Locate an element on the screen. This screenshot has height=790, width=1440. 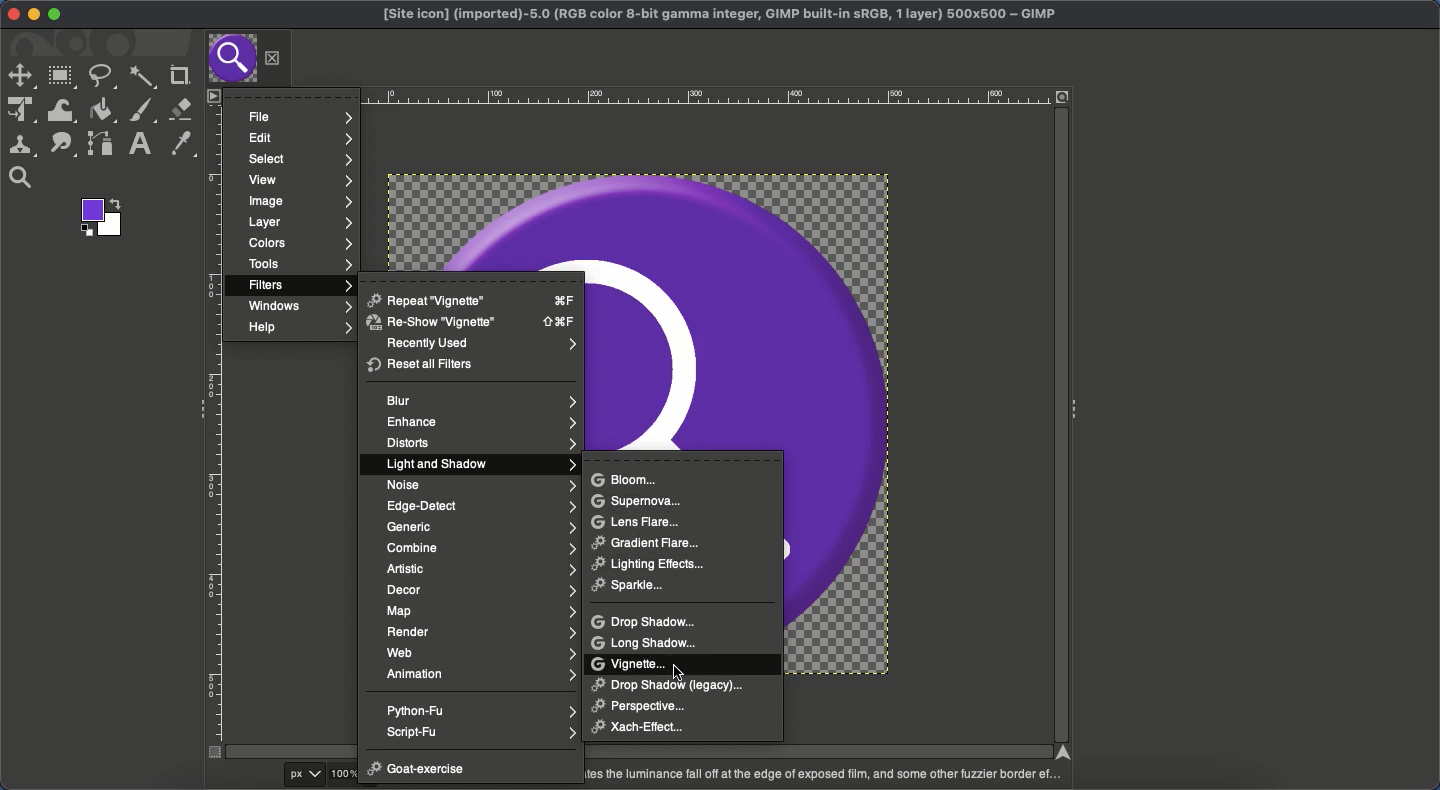
Lens flar is located at coordinates (637, 521).